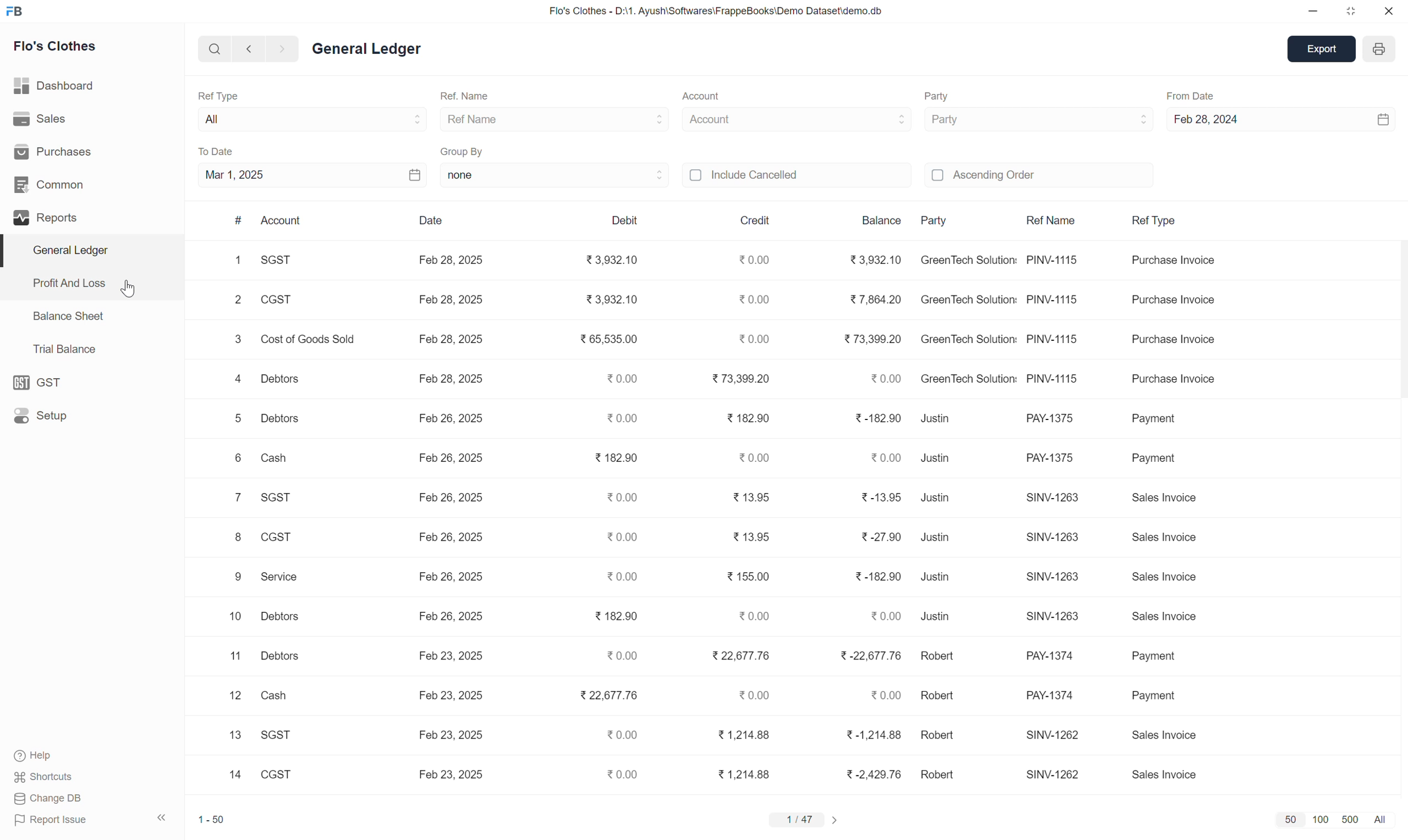 The image size is (1408, 840). Describe the element at coordinates (624, 499) in the screenshot. I see `₹0.00` at that location.